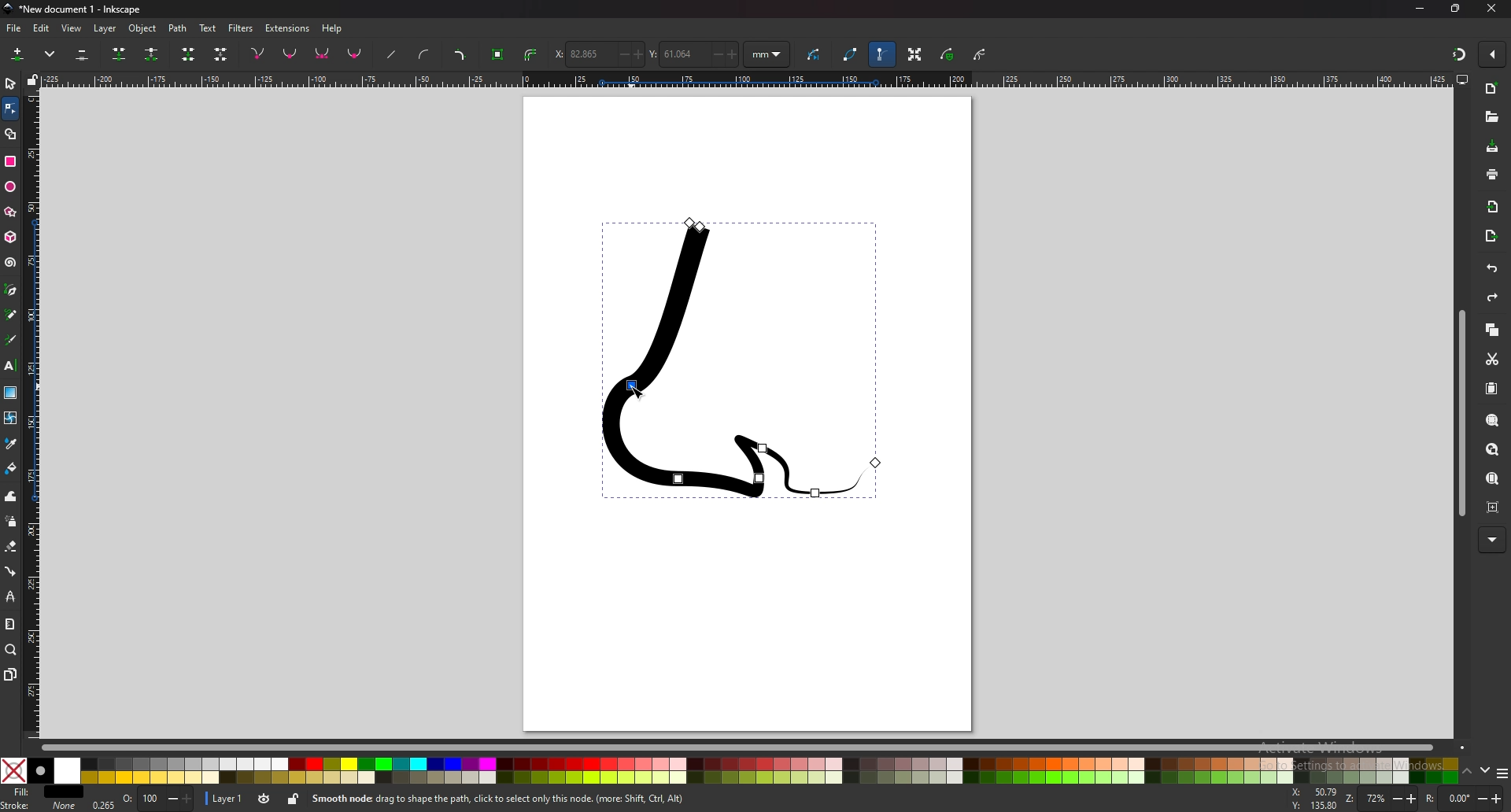 The height and width of the screenshot is (812, 1511). I want to click on close, so click(1493, 9).